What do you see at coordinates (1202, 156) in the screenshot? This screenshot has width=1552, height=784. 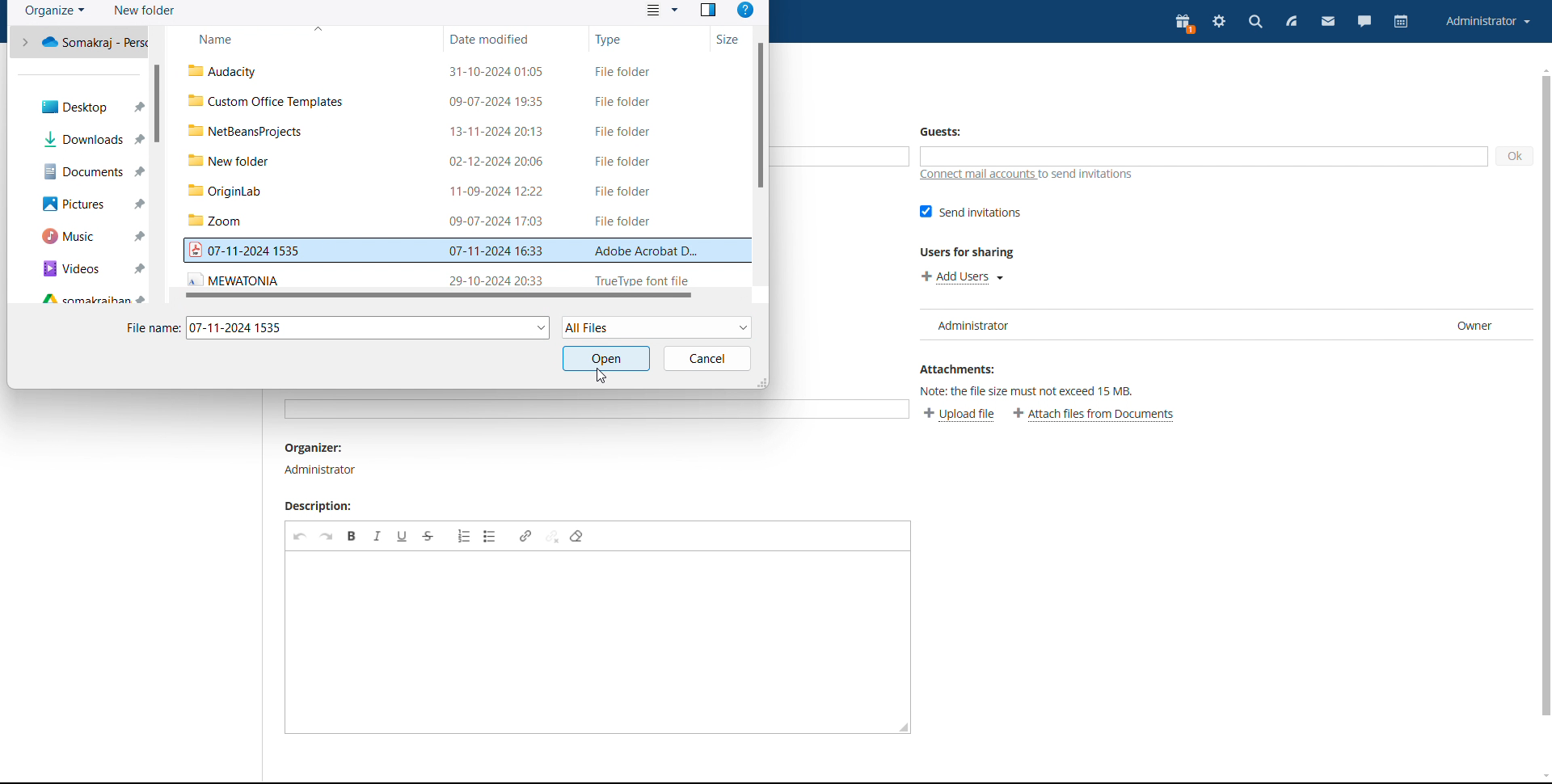 I see `add guests` at bounding box center [1202, 156].